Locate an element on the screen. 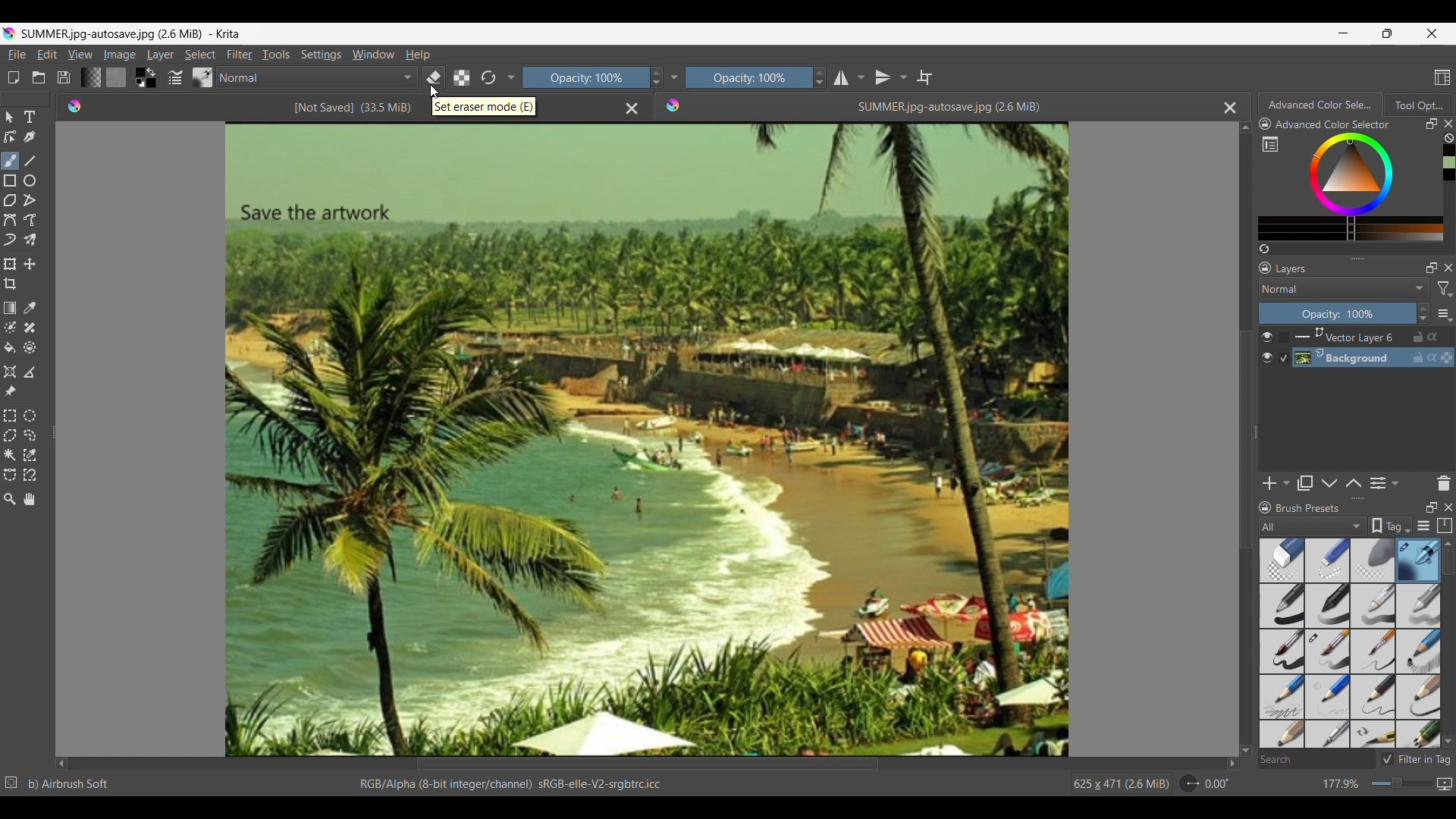  Change height of panels attached to this line is located at coordinates (1357, 258).